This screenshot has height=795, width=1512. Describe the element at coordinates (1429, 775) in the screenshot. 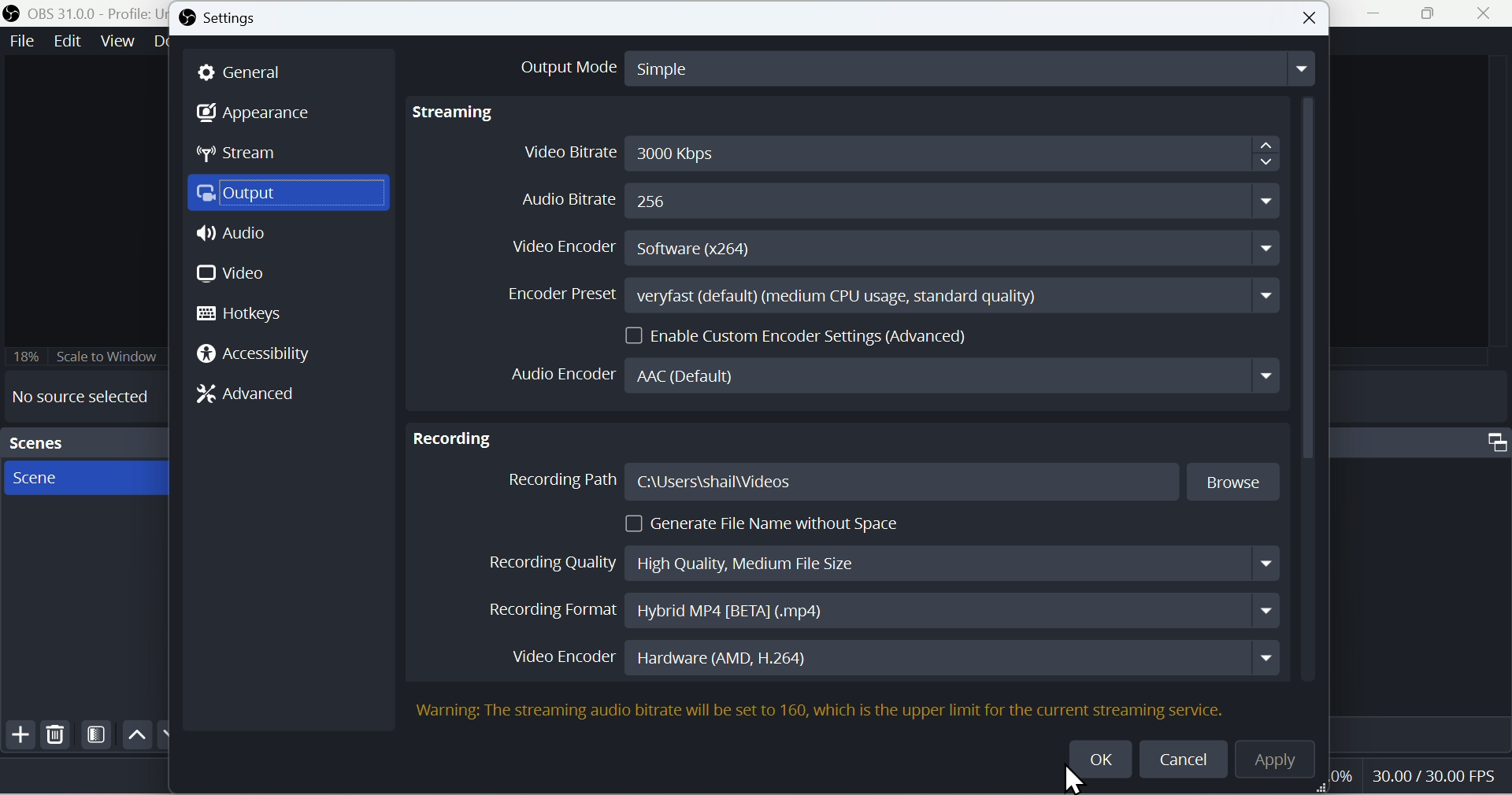

I see `30.00/30.00 FPS` at that location.